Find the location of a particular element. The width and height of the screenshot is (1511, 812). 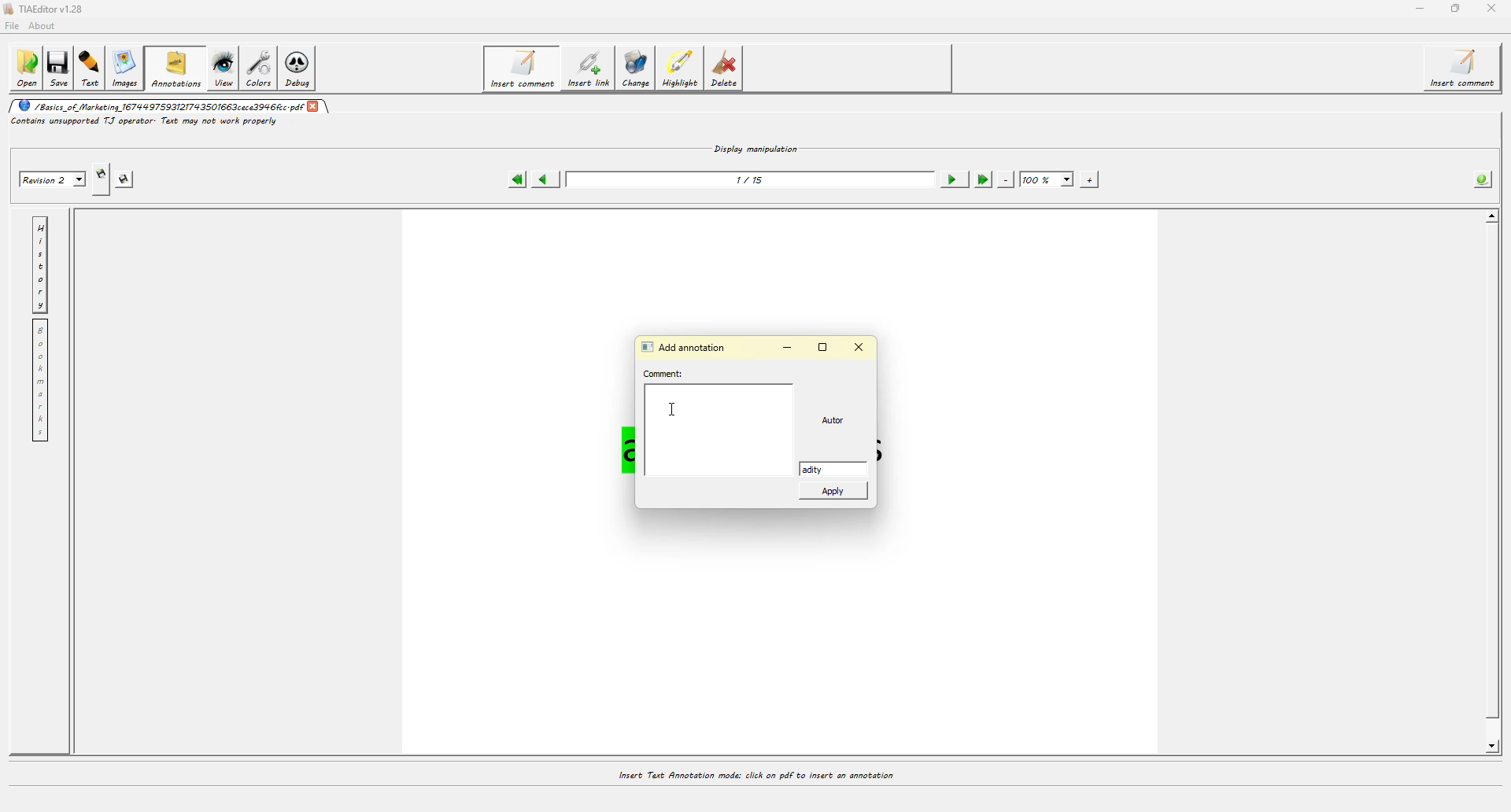

minimize is located at coordinates (1417, 9).